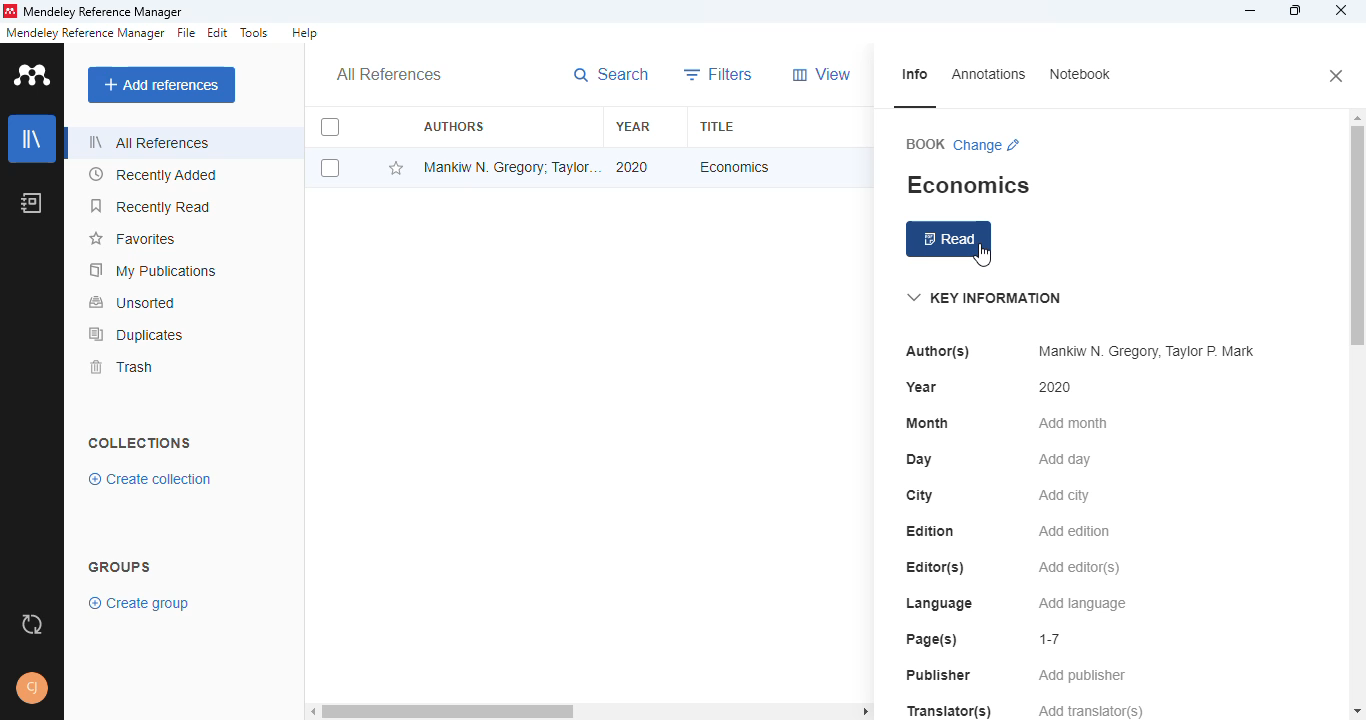 The height and width of the screenshot is (720, 1366). What do you see at coordinates (330, 168) in the screenshot?
I see `select` at bounding box center [330, 168].